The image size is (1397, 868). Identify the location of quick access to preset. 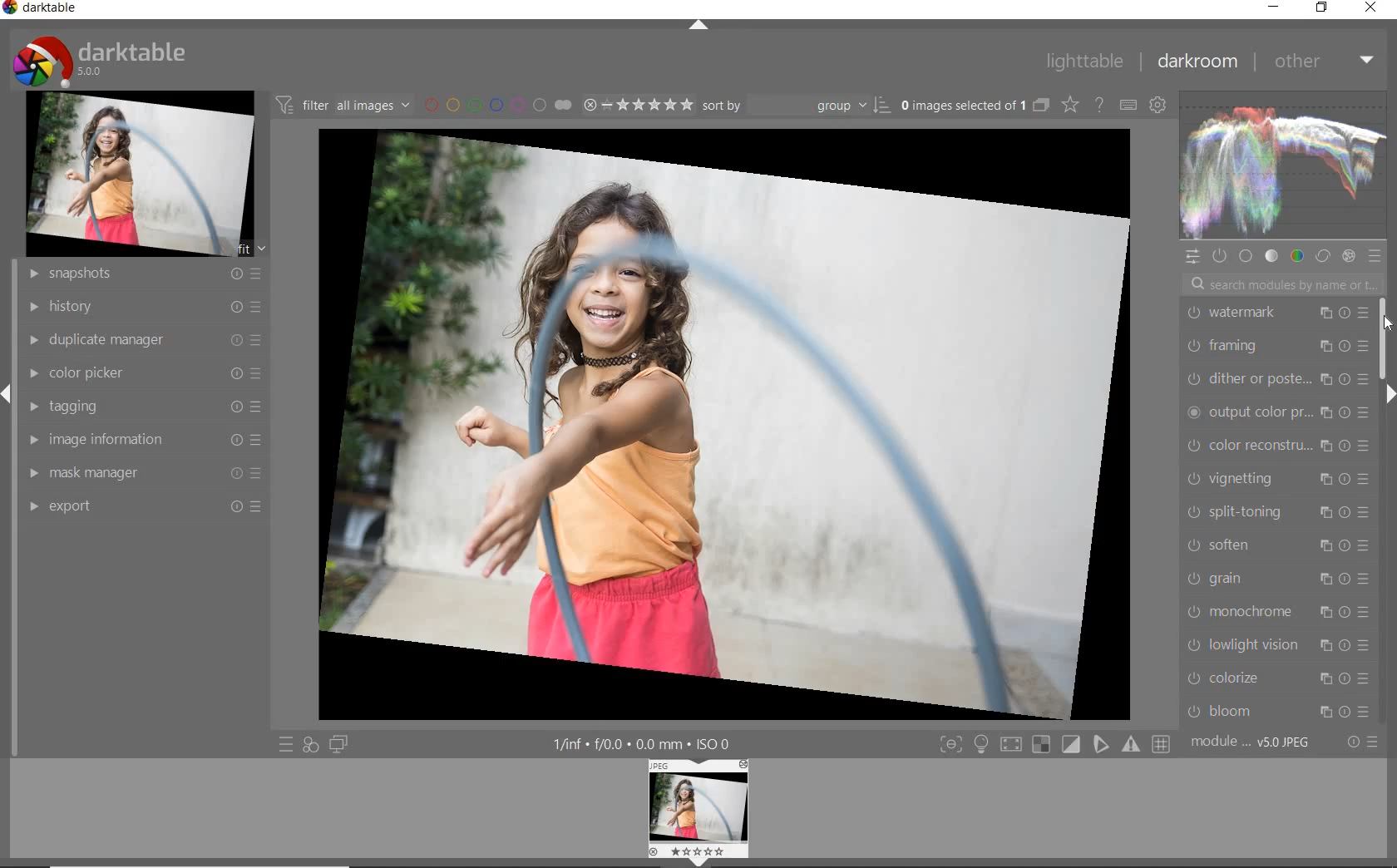
(287, 743).